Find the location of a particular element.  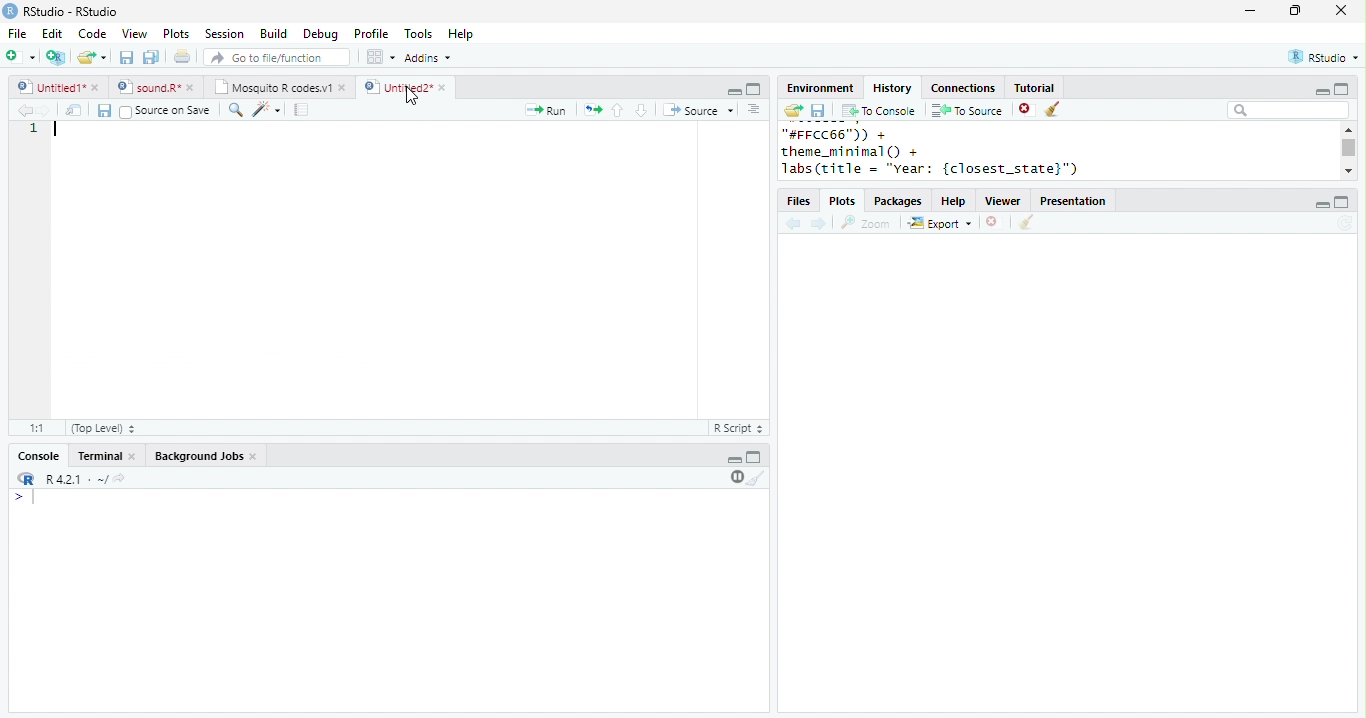

R Script is located at coordinates (739, 427).